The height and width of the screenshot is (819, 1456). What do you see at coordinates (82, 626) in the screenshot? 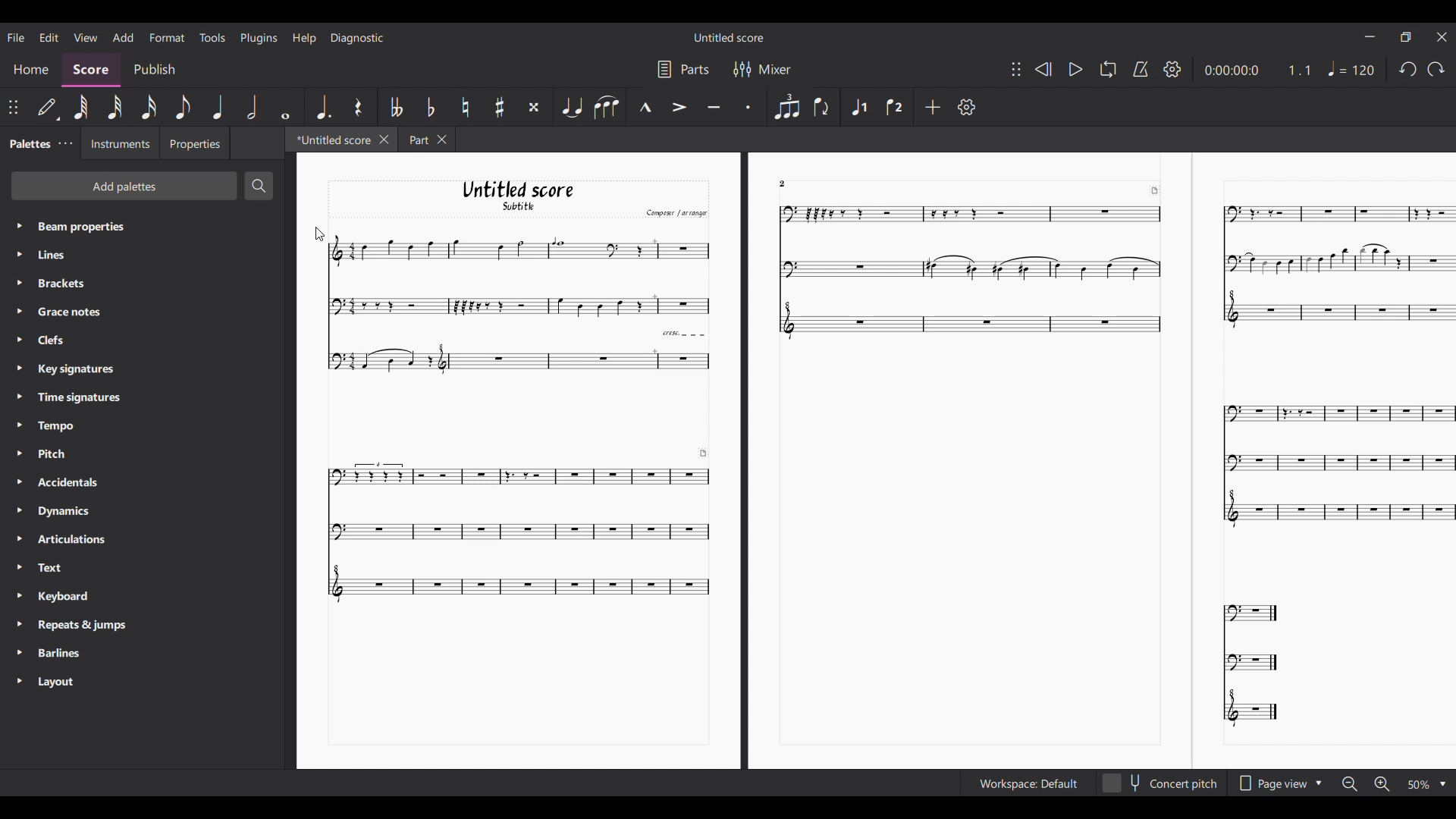
I see `Repeats & Jumps` at bounding box center [82, 626].